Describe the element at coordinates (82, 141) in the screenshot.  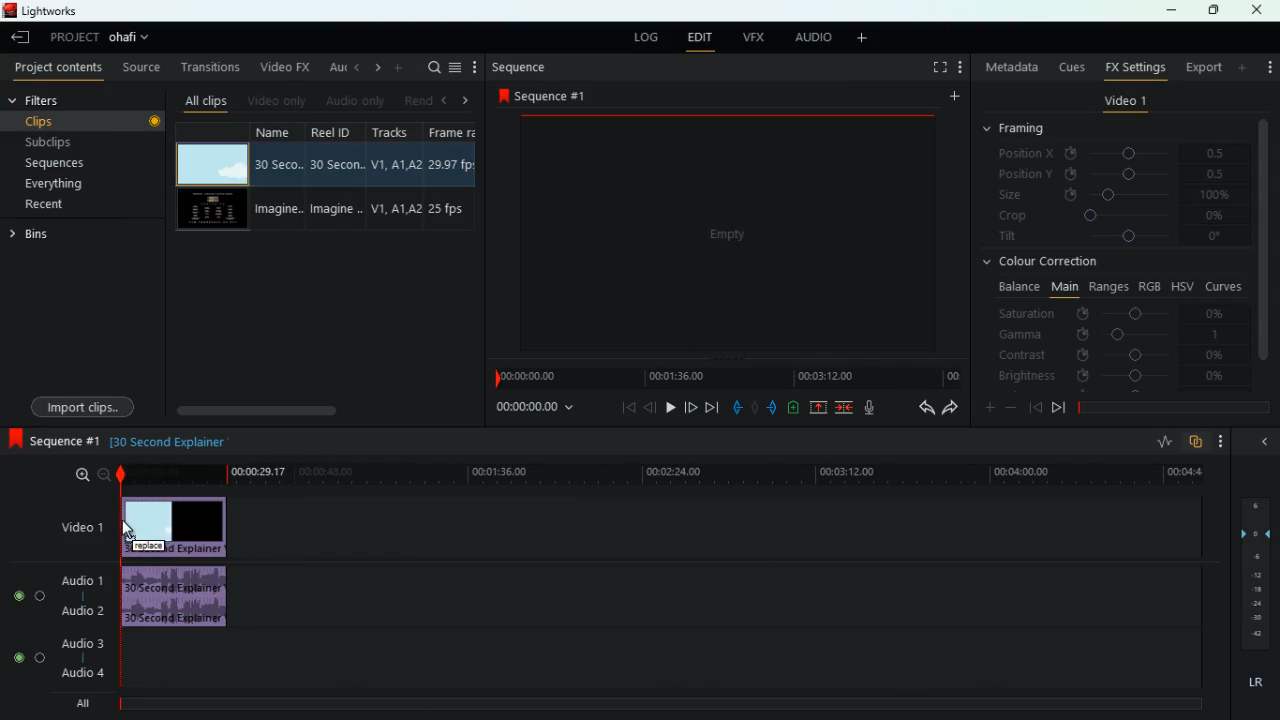
I see `subclips` at that location.